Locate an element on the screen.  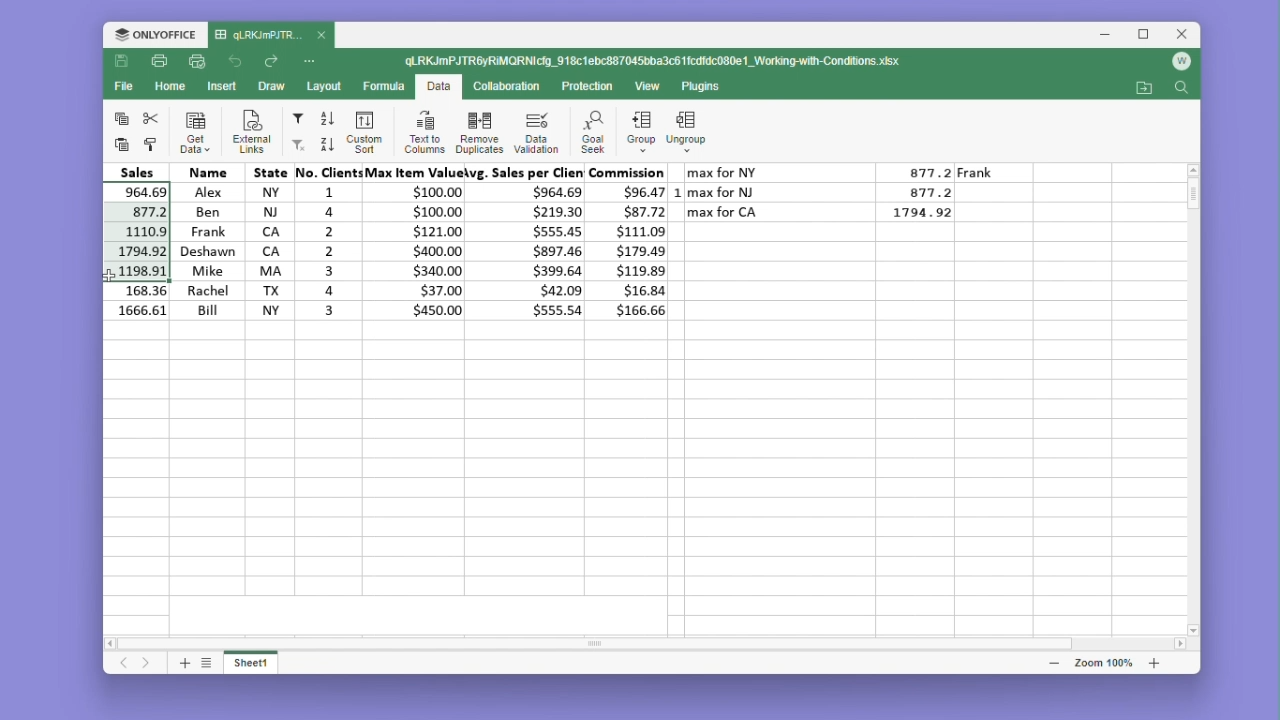
paste is located at coordinates (119, 144).